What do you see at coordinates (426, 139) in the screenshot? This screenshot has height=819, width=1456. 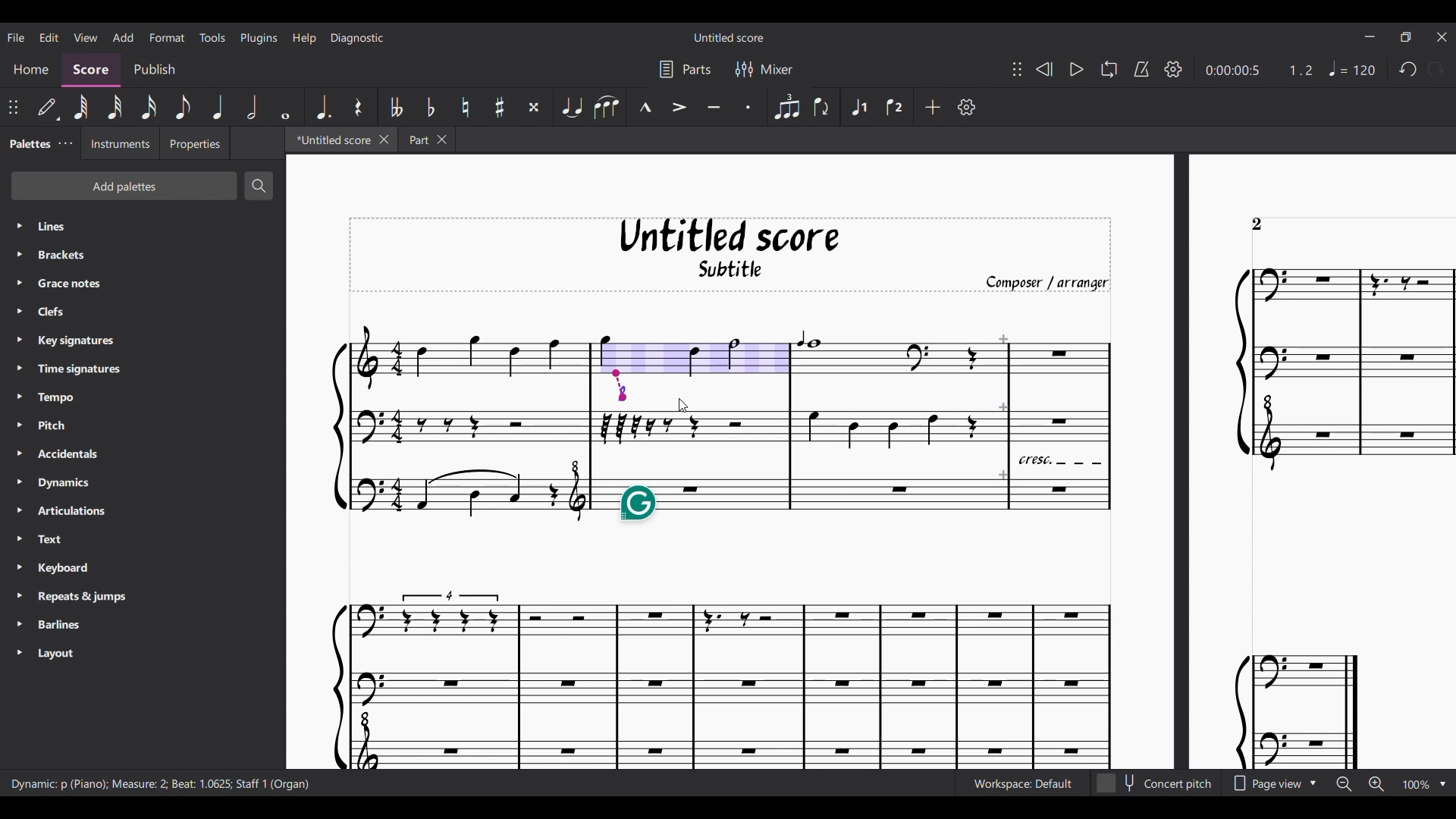 I see `Earlier tab` at bounding box center [426, 139].